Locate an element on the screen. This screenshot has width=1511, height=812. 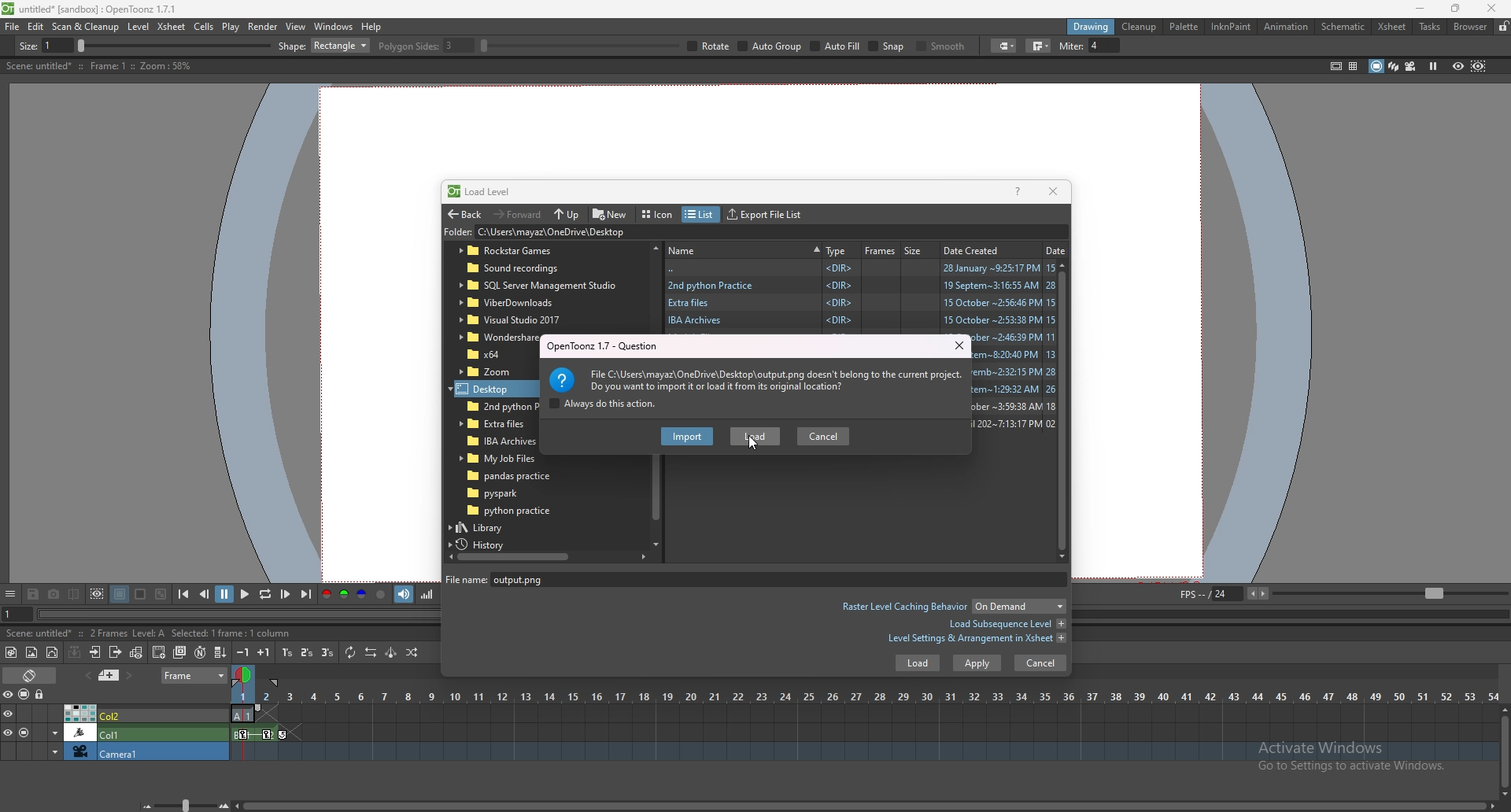
render is located at coordinates (264, 27).